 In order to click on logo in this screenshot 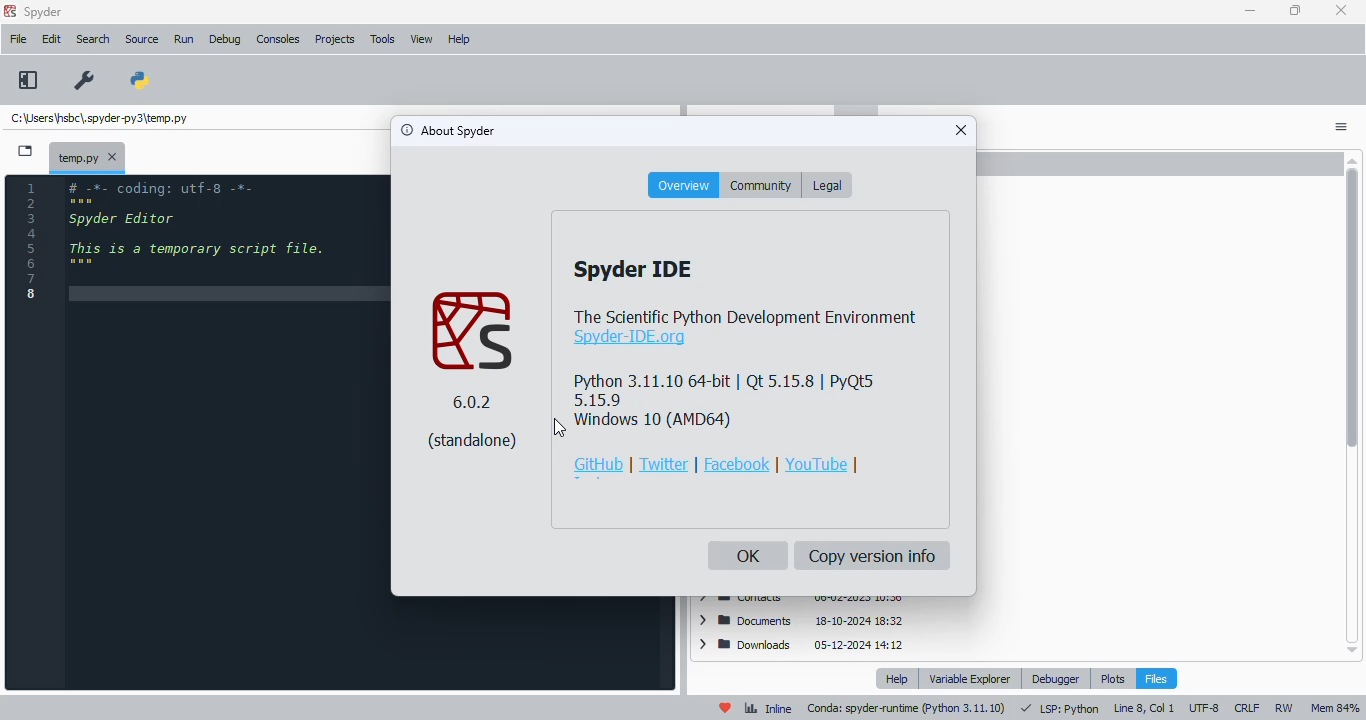, I will do `click(472, 333)`.